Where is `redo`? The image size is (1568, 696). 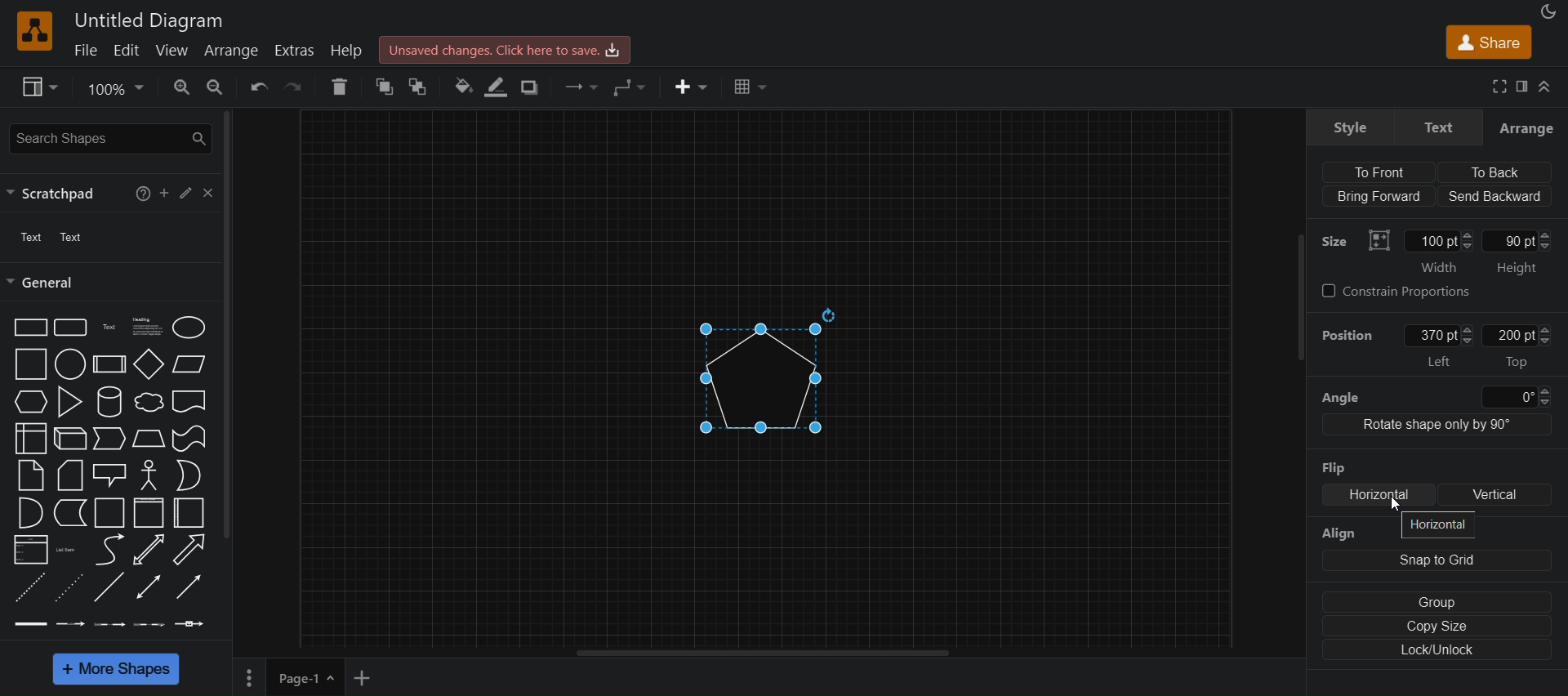
redo is located at coordinates (295, 90).